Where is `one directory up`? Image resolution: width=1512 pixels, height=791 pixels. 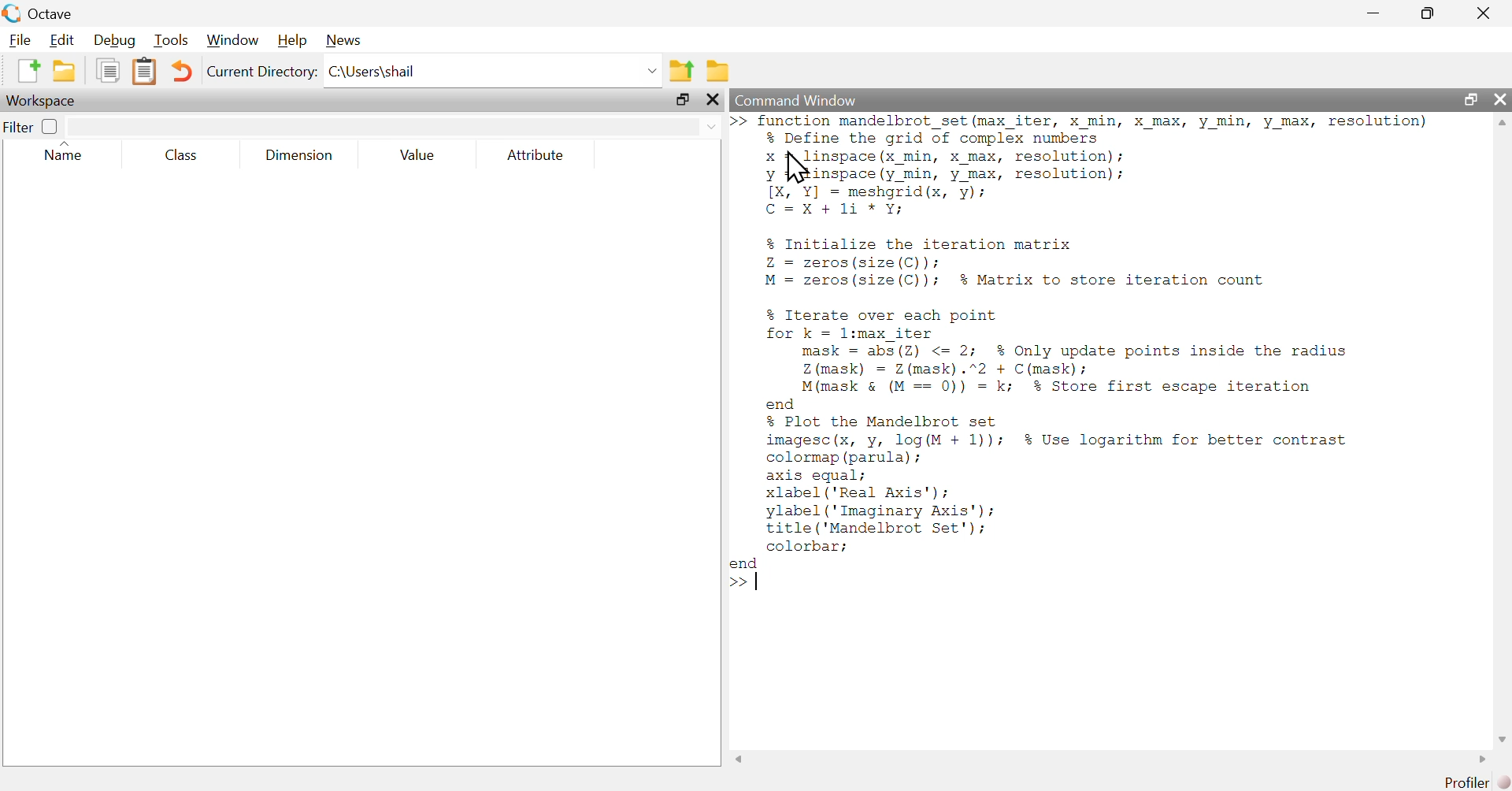 one directory up is located at coordinates (680, 69).